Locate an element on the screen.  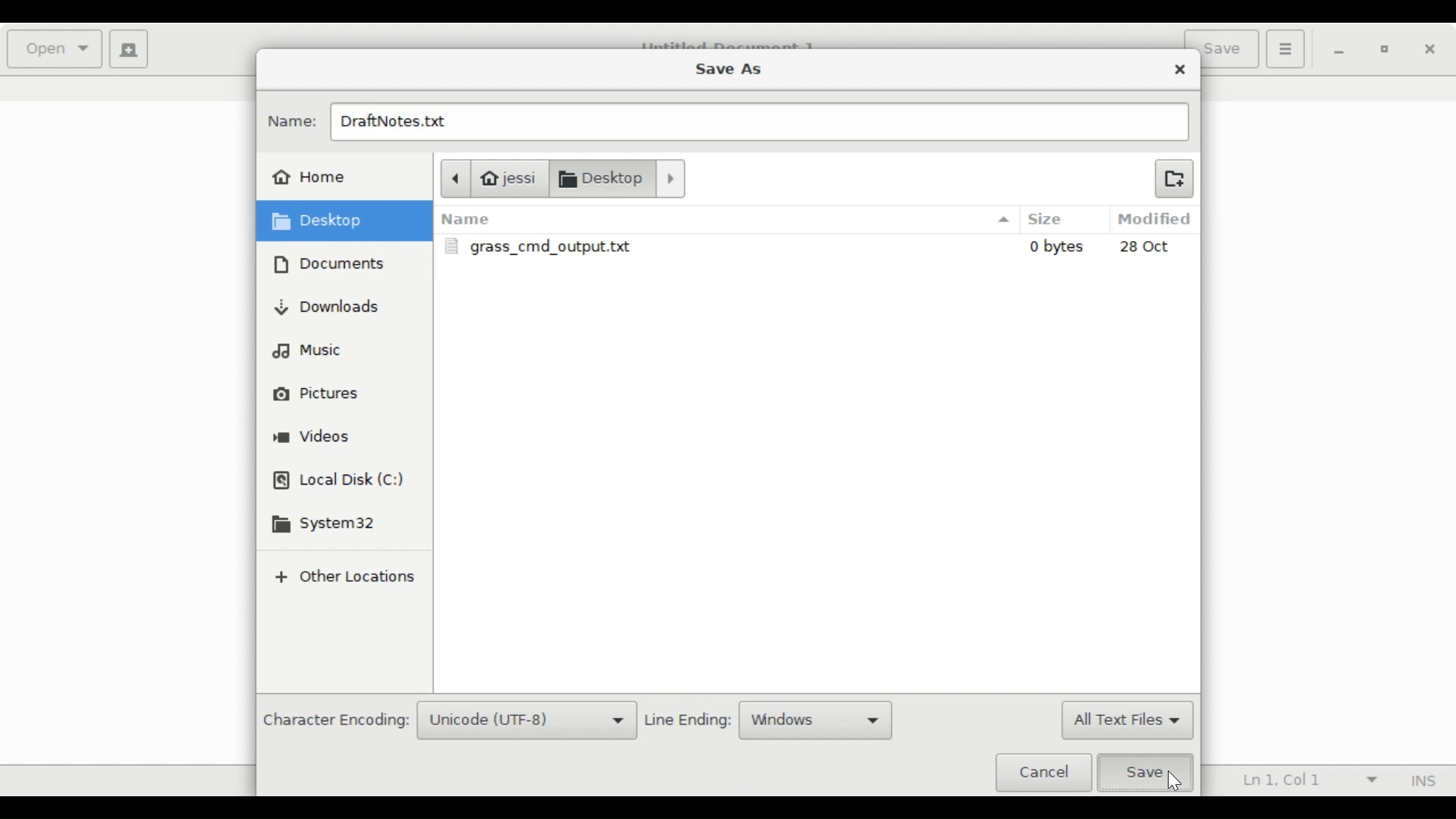
Restore is located at coordinates (1386, 52).